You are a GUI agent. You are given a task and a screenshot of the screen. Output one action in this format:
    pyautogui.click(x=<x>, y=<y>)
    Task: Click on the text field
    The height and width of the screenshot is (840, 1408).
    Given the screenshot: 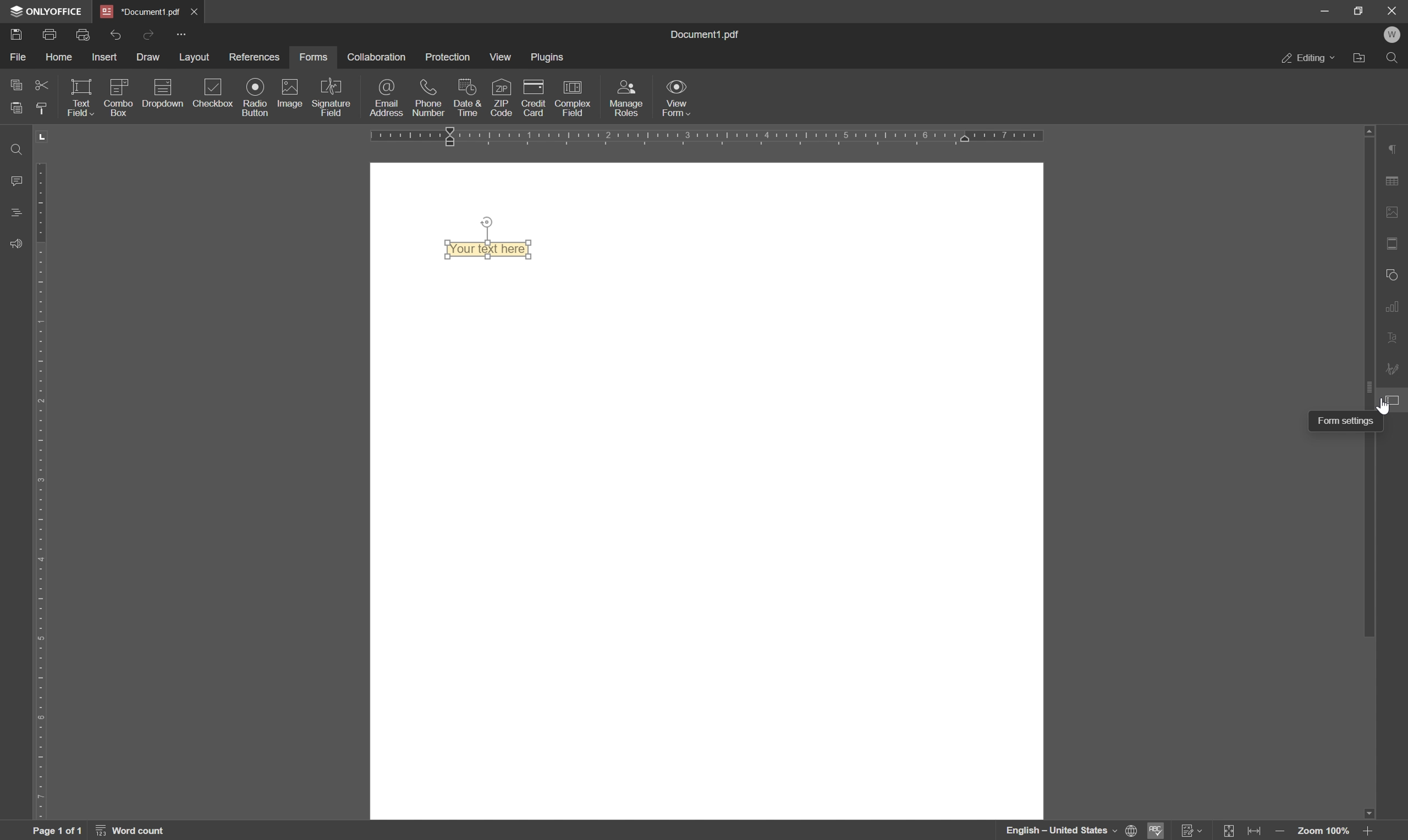 What is the action you would take?
    pyautogui.click(x=80, y=97)
    